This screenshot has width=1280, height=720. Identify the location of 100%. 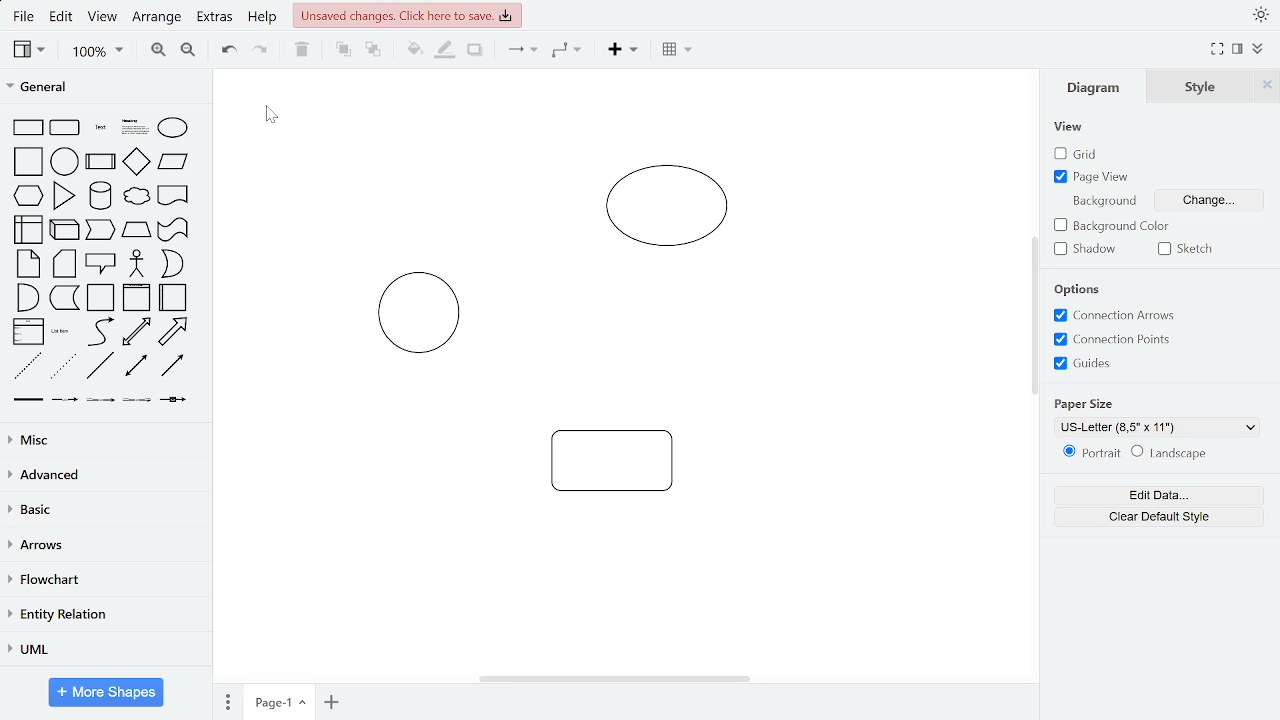
(97, 52).